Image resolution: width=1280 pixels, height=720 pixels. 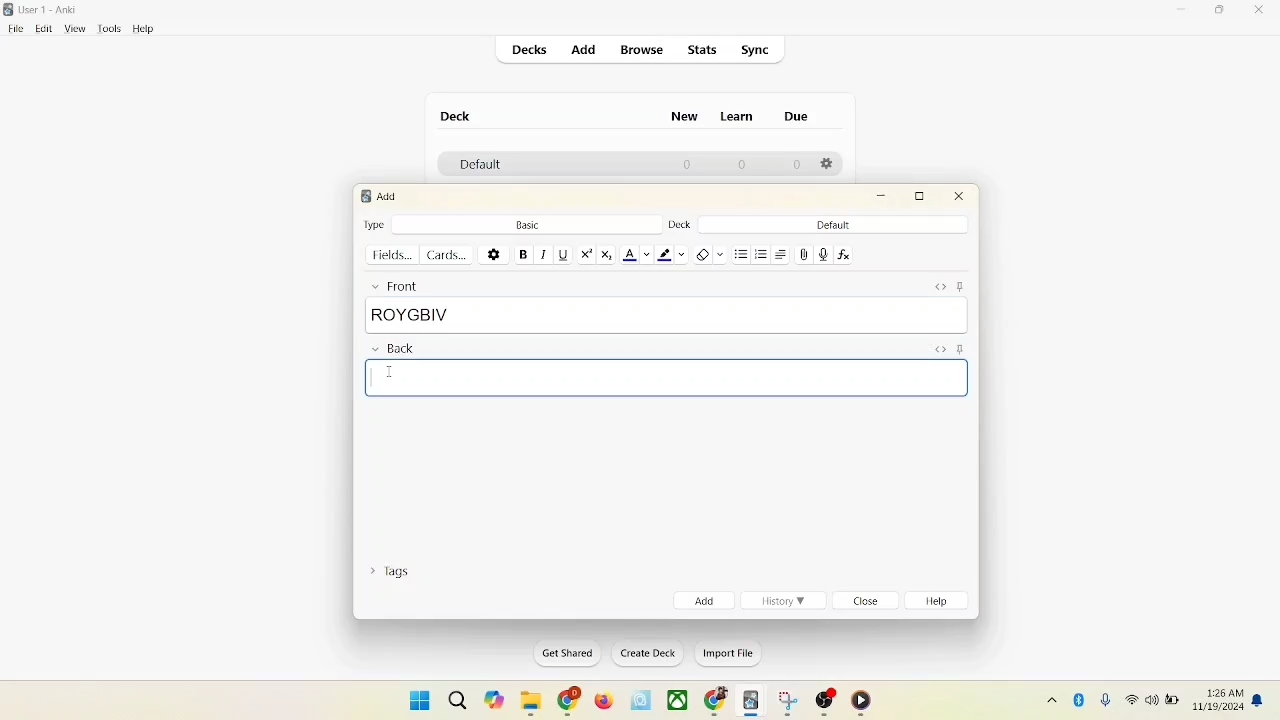 What do you see at coordinates (938, 348) in the screenshot?
I see `HTML editor` at bounding box center [938, 348].